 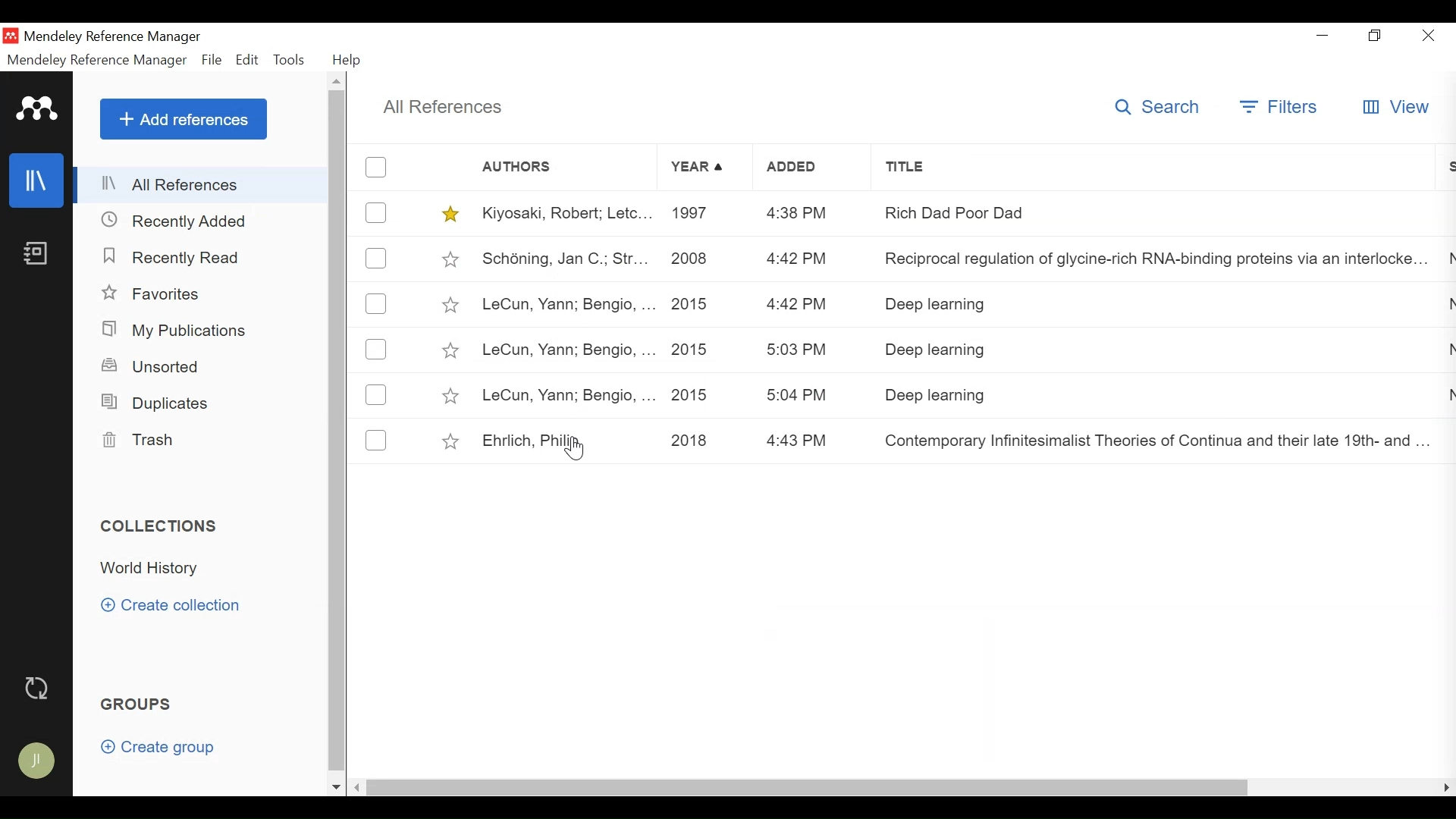 I want to click on Tools, so click(x=290, y=61).